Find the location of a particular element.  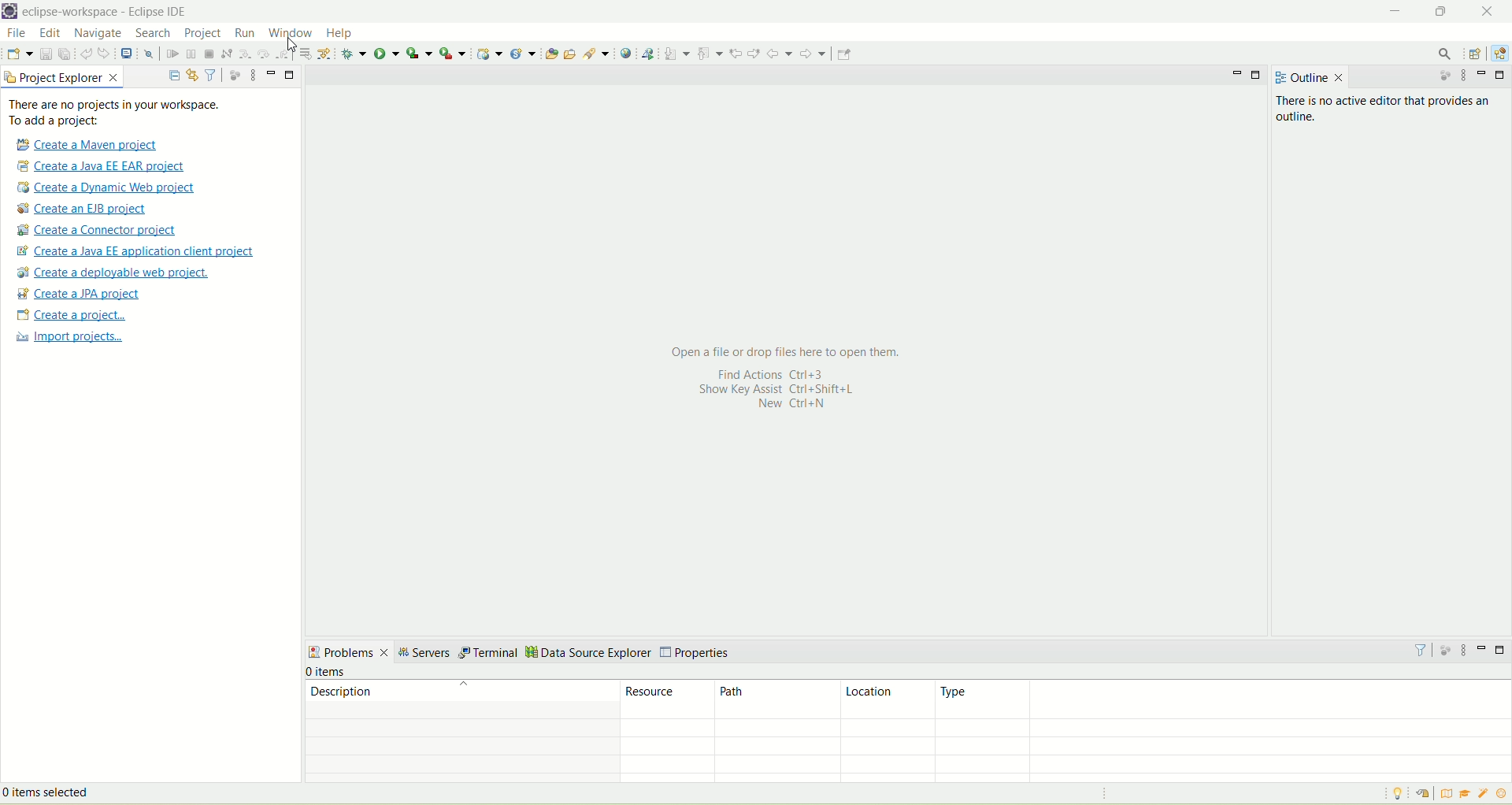

description is located at coordinates (459, 698).